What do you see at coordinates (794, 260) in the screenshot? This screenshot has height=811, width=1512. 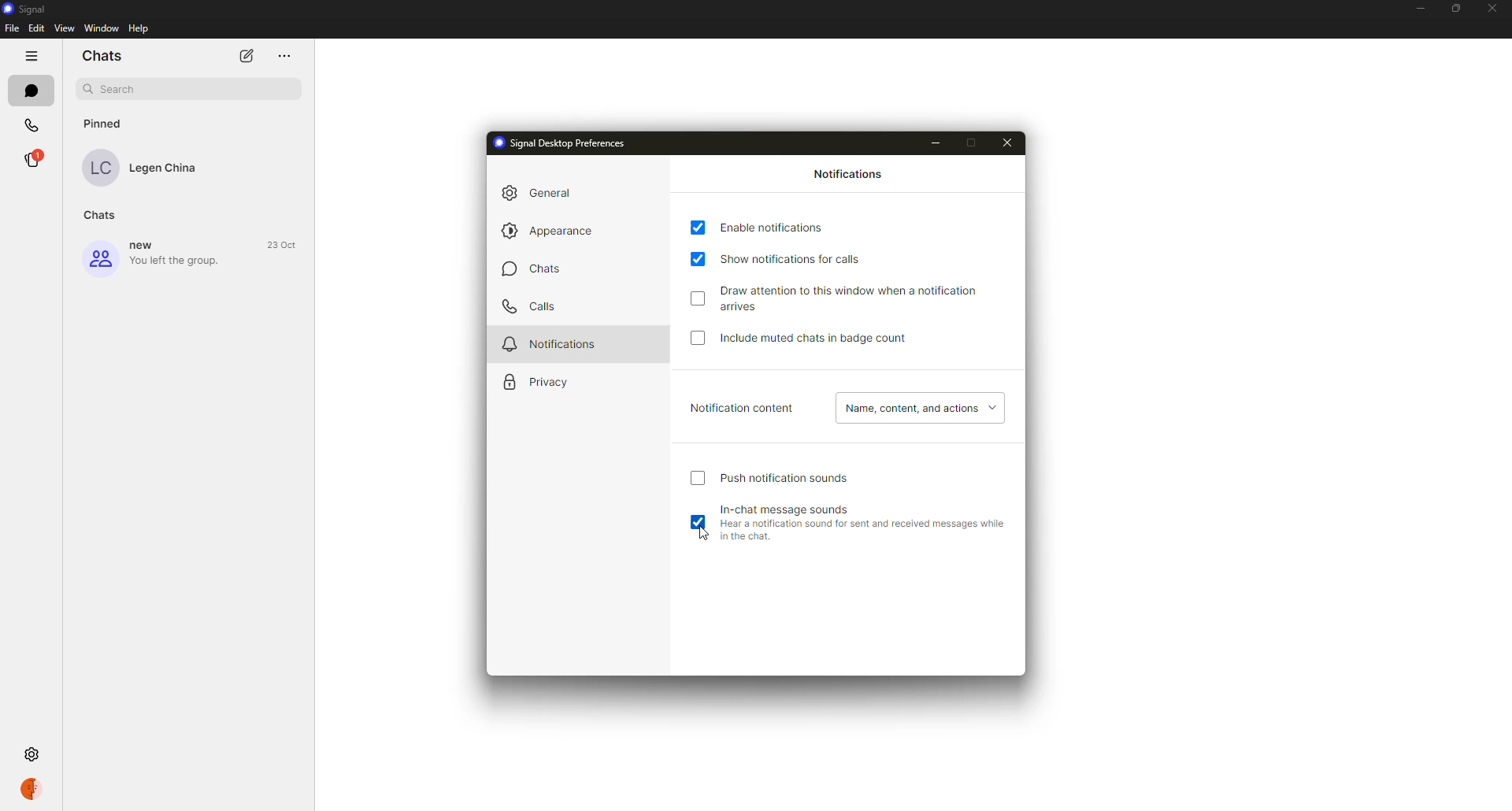 I see `show notification for calls` at bounding box center [794, 260].